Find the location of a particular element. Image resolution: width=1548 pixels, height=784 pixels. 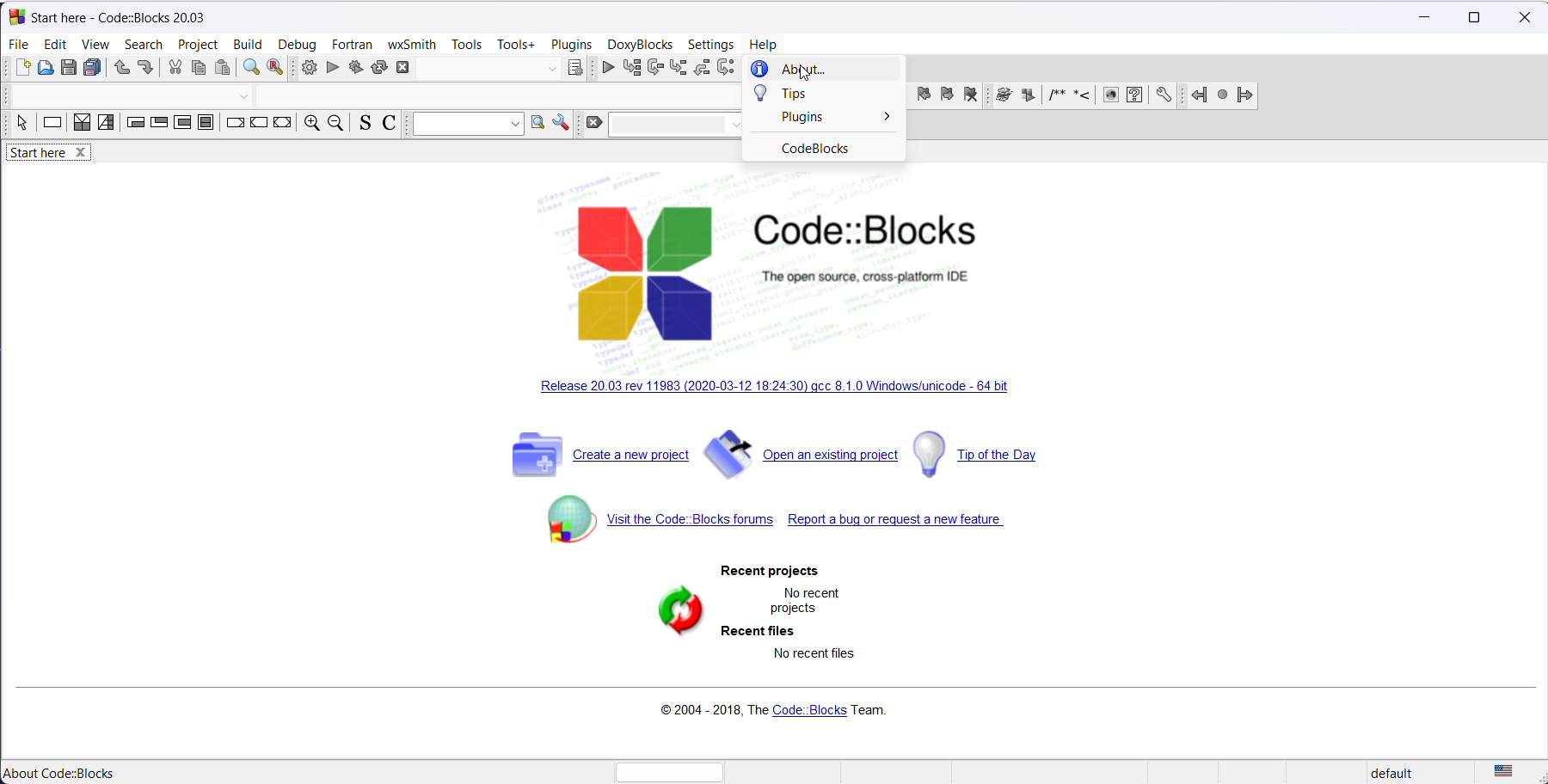

dropdown button is located at coordinates (242, 95).